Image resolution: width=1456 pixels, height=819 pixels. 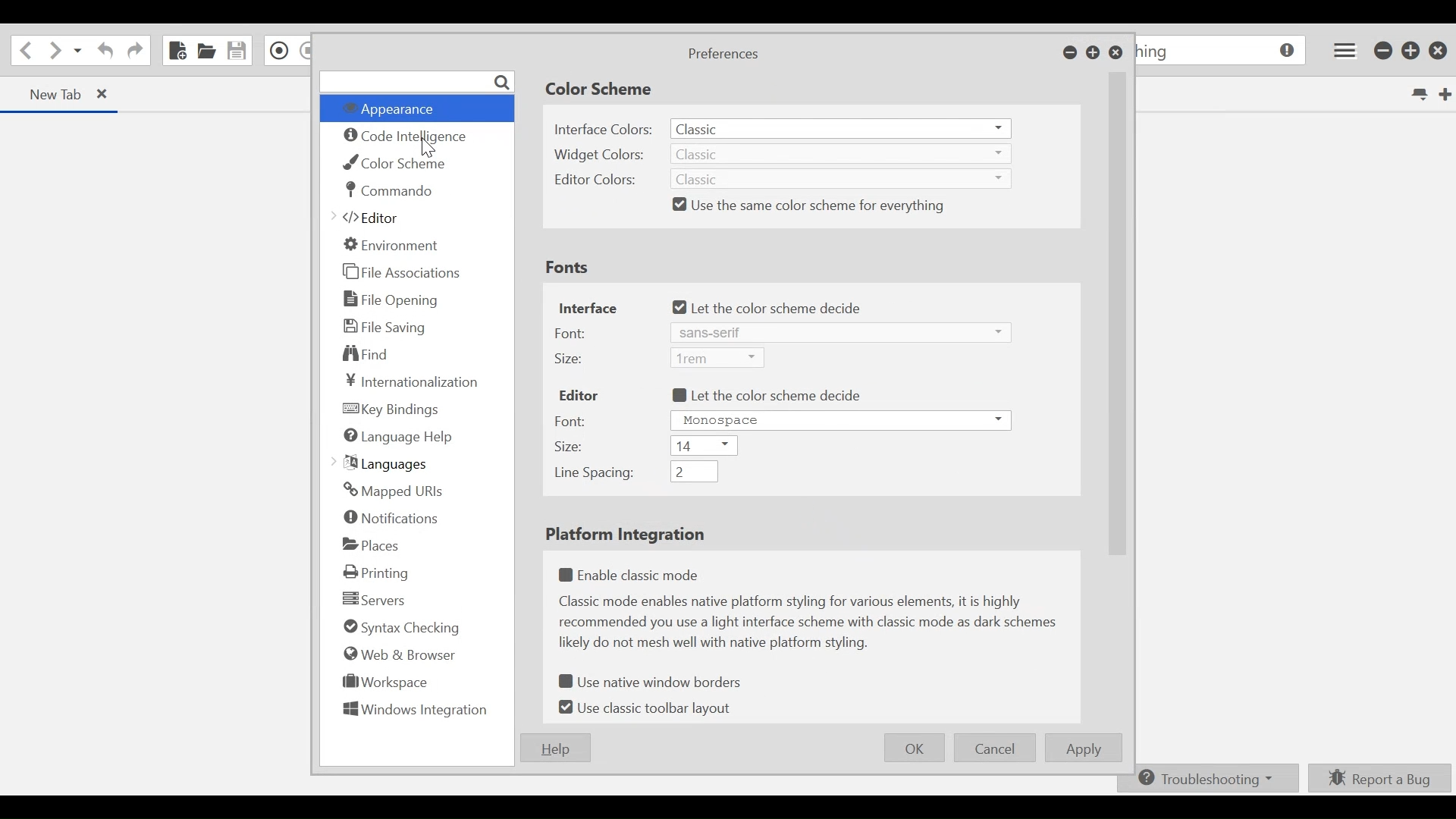 I want to click on Workspace, so click(x=381, y=685).